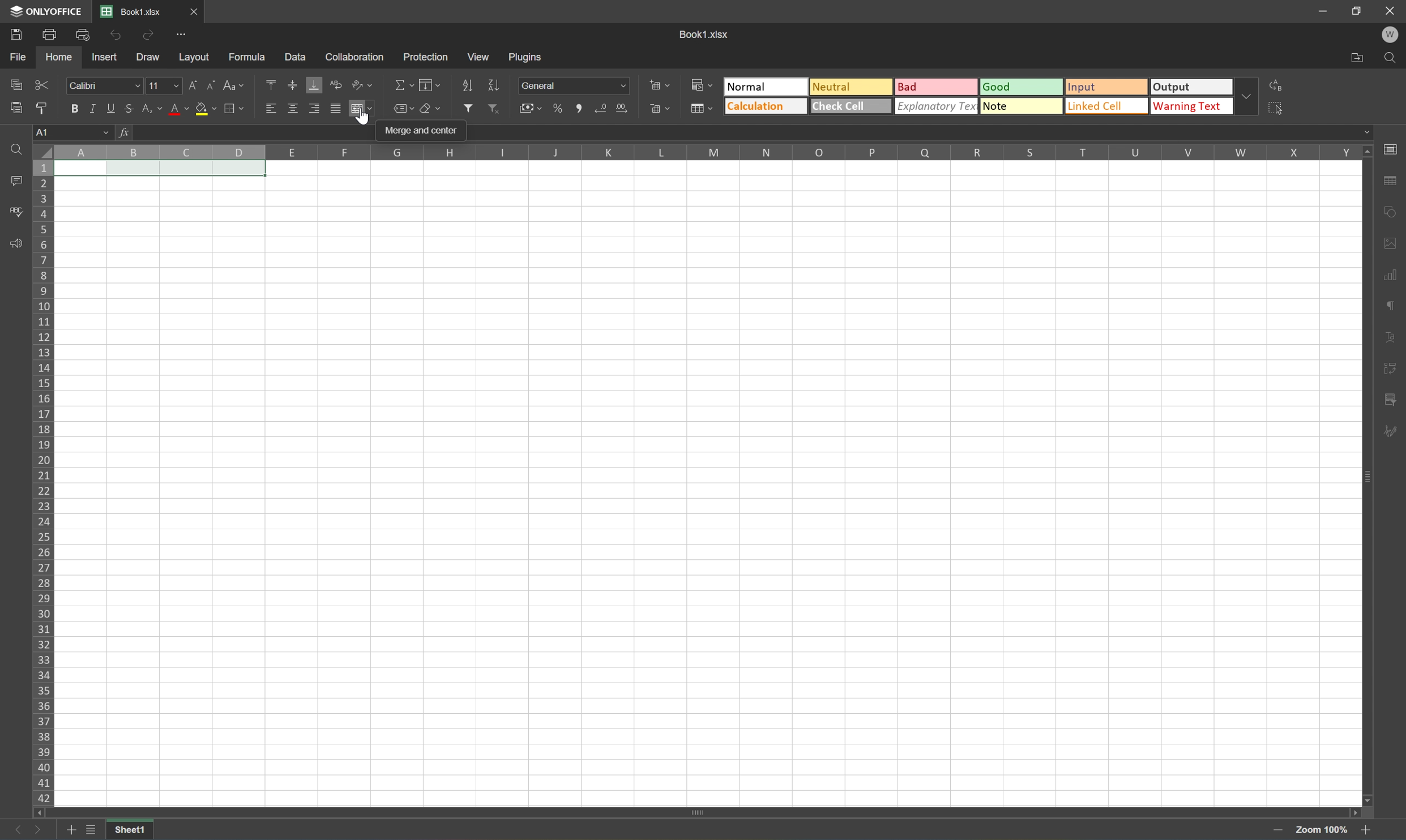 The image size is (1406, 840). What do you see at coordinates (1393, 149) in the screenshot?
I see `Slide settings` at bounding box center [1393, 149].